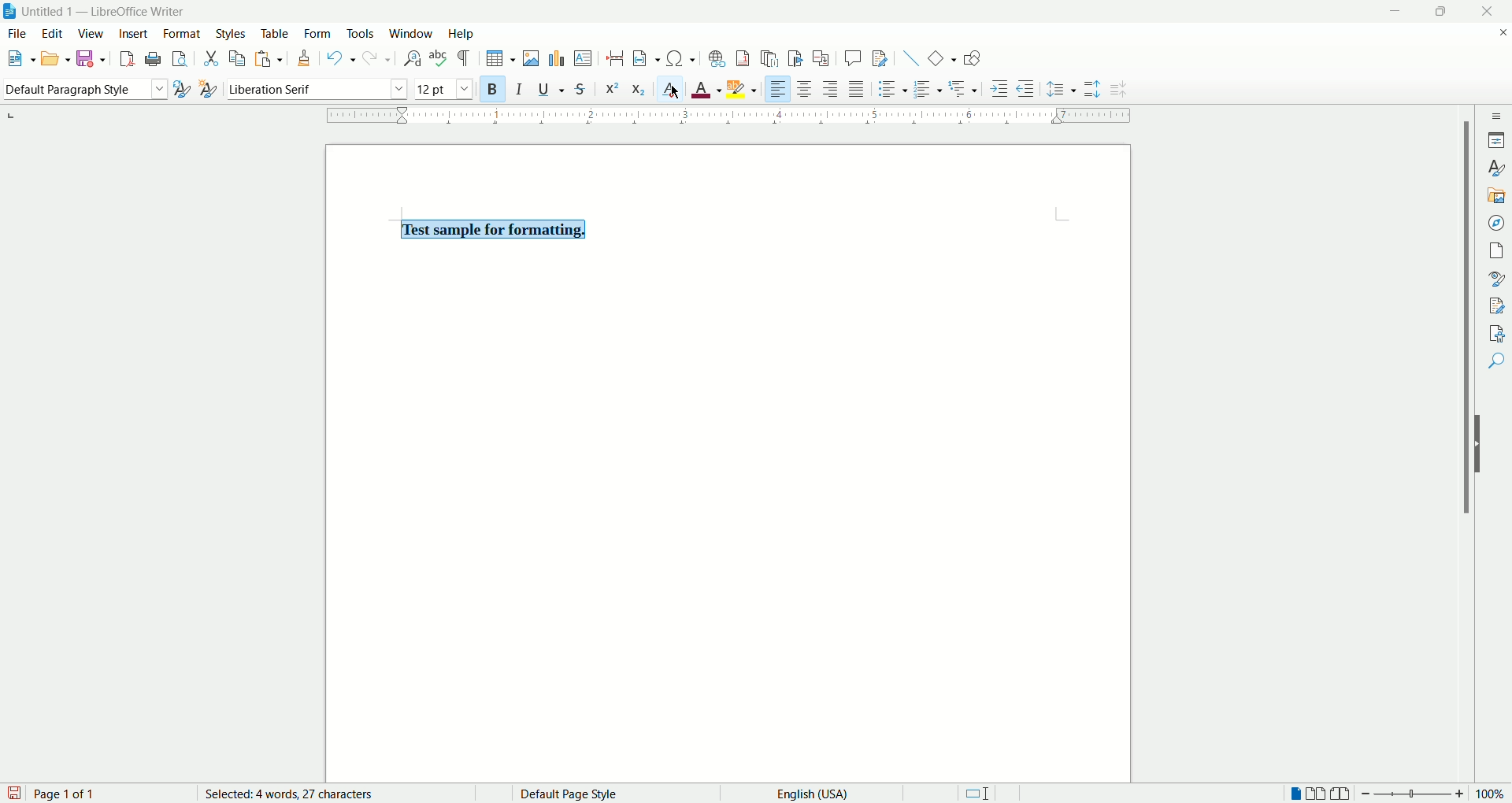  What do you see at coordinates (1497, 31) in the screenshot?
I see `close` at bounding box center [1497, 31].